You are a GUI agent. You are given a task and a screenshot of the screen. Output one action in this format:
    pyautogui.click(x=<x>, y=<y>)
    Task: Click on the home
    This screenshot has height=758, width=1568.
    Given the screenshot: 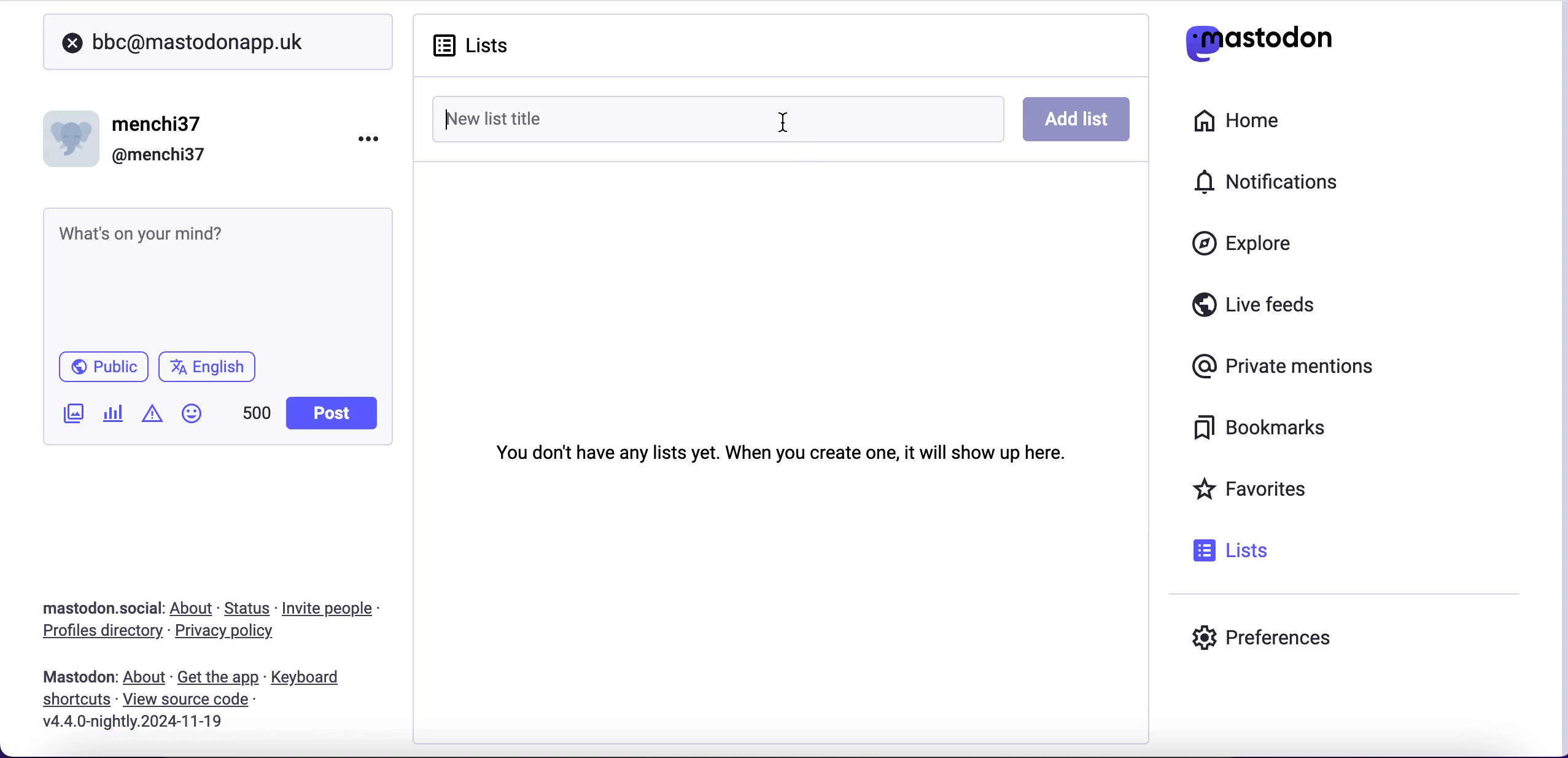 What is the action you would take?
    pyautogui.click(x=1241, y=119)
    